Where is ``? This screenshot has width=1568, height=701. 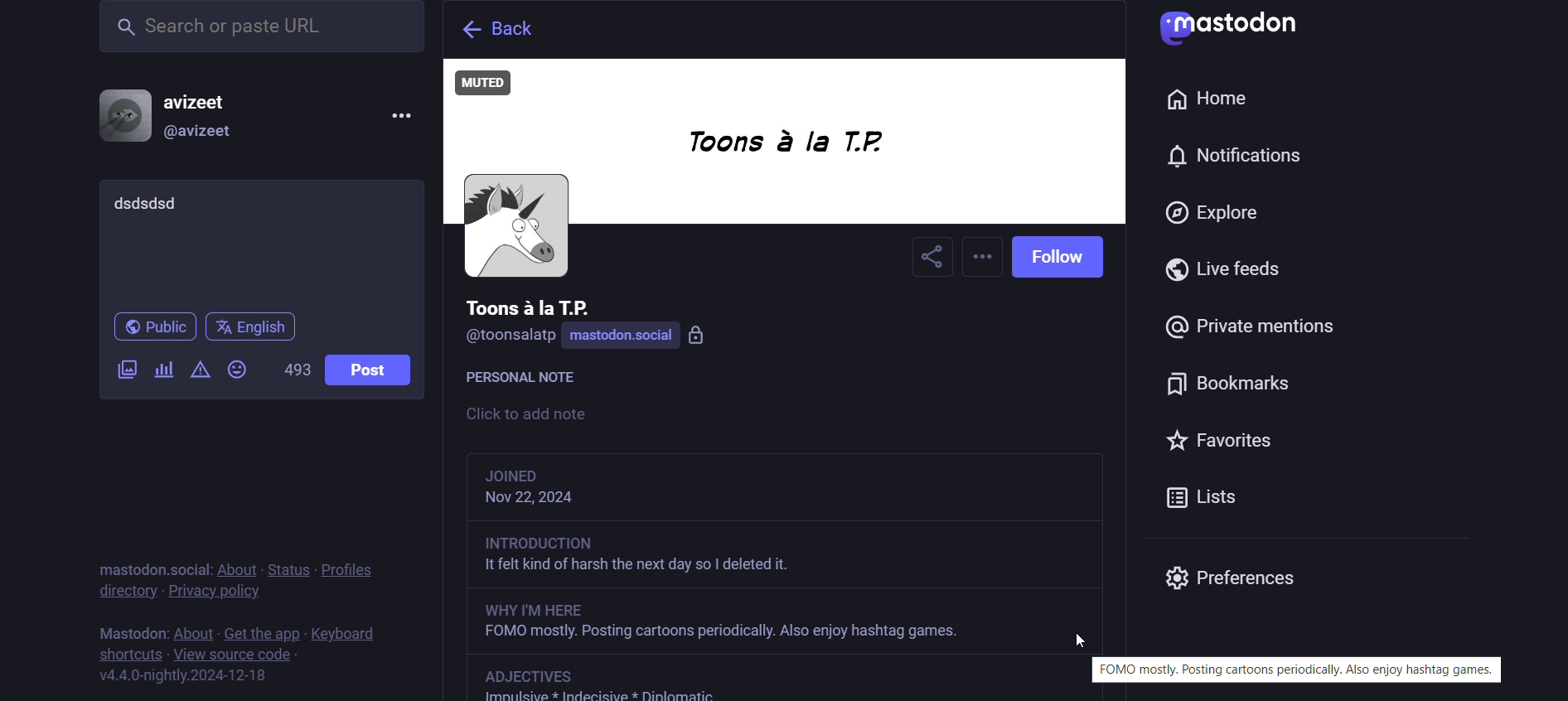
 is located at coordinates (786, 558).